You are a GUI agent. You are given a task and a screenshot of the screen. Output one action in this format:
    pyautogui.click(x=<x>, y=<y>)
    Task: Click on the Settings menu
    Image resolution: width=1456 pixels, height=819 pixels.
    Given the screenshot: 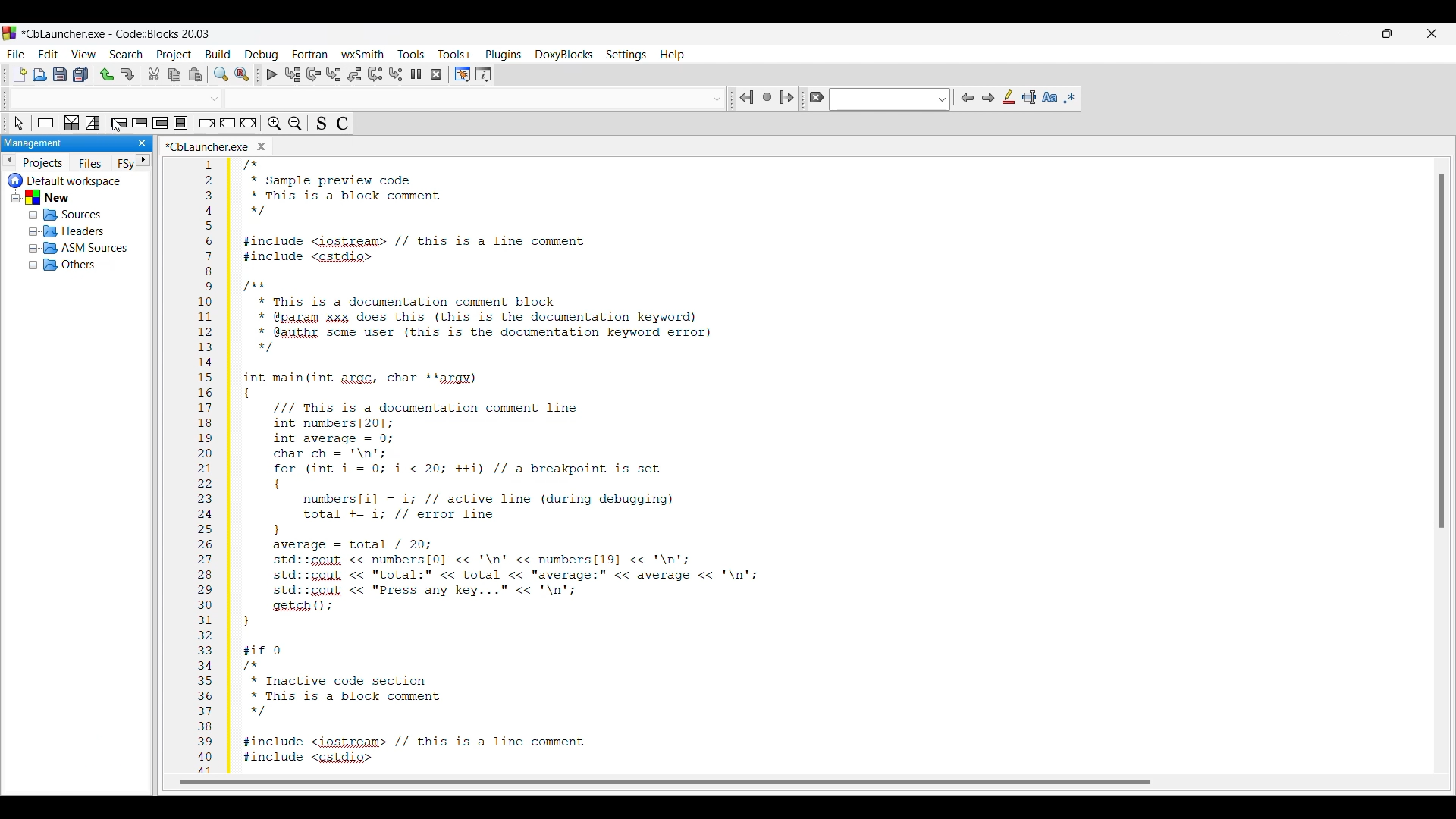 What is the action you would take?
    pyautogui.click(x=626, y=55)
    